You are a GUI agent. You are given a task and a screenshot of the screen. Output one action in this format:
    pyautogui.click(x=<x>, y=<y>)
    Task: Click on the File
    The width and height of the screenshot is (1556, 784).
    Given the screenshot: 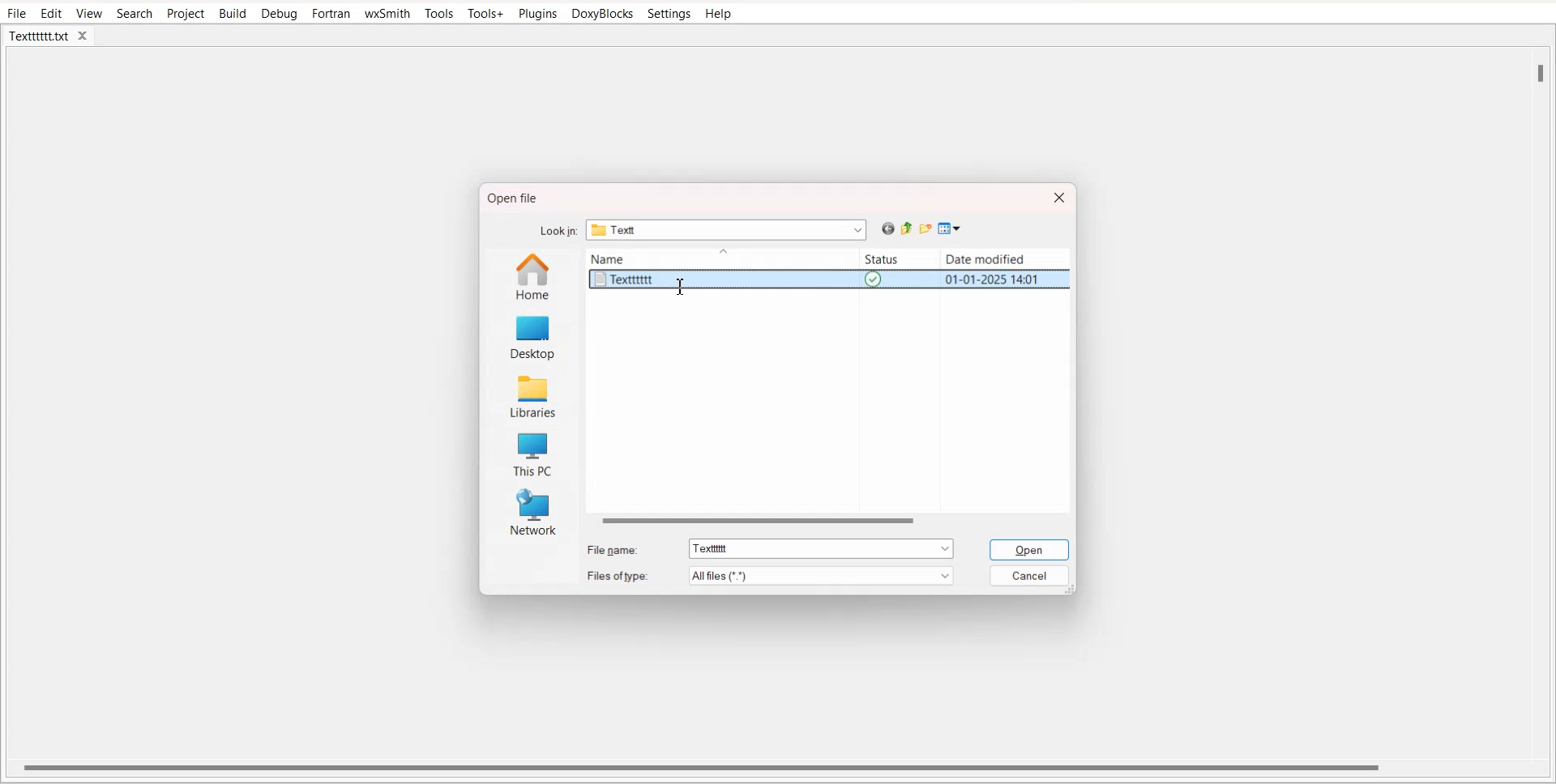 What is the action you would take?
    pyautogui.click(x=15, y=12)
    